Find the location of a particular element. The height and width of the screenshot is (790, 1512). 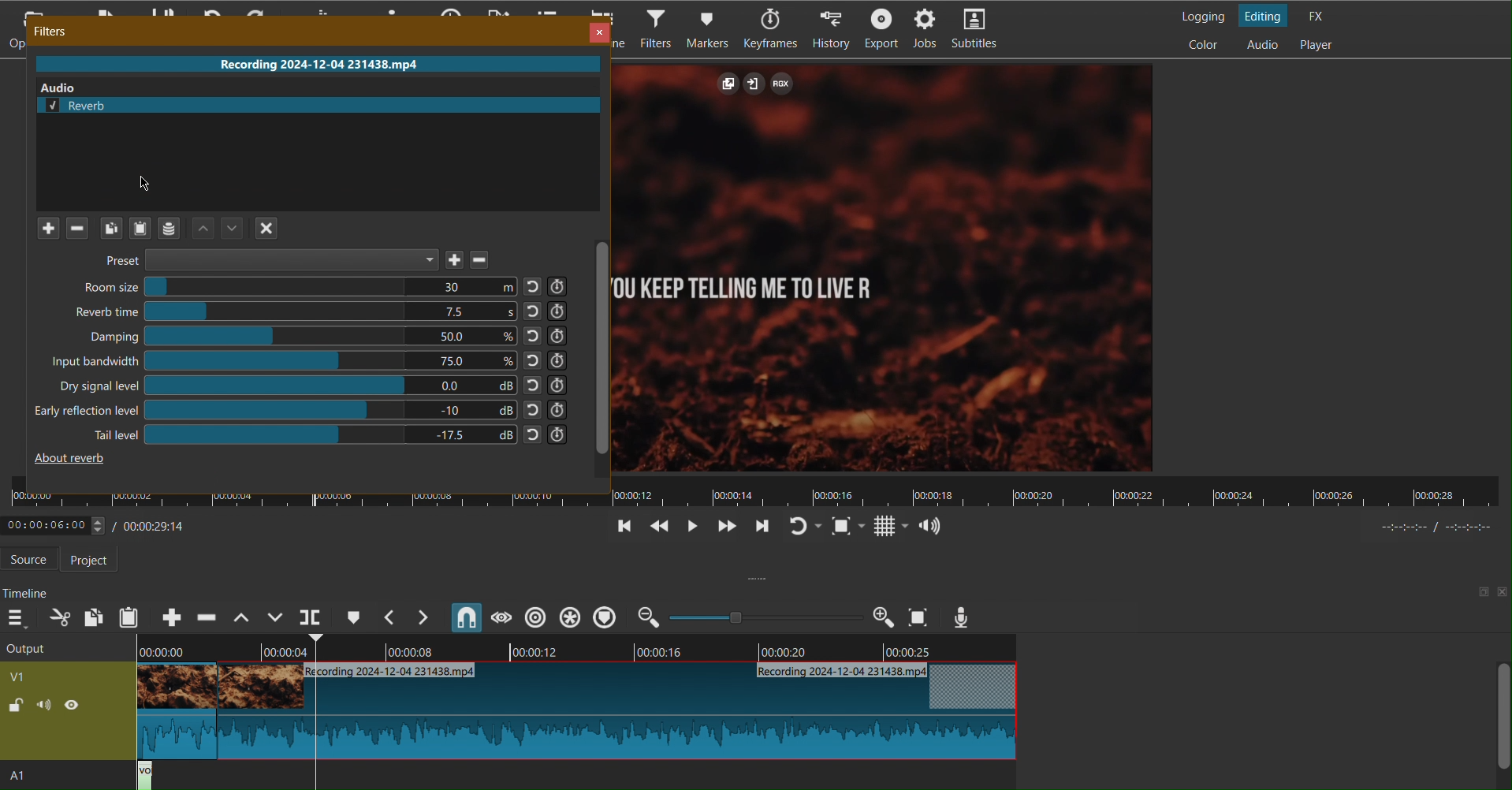

Output is located at coordinates (64, 698).